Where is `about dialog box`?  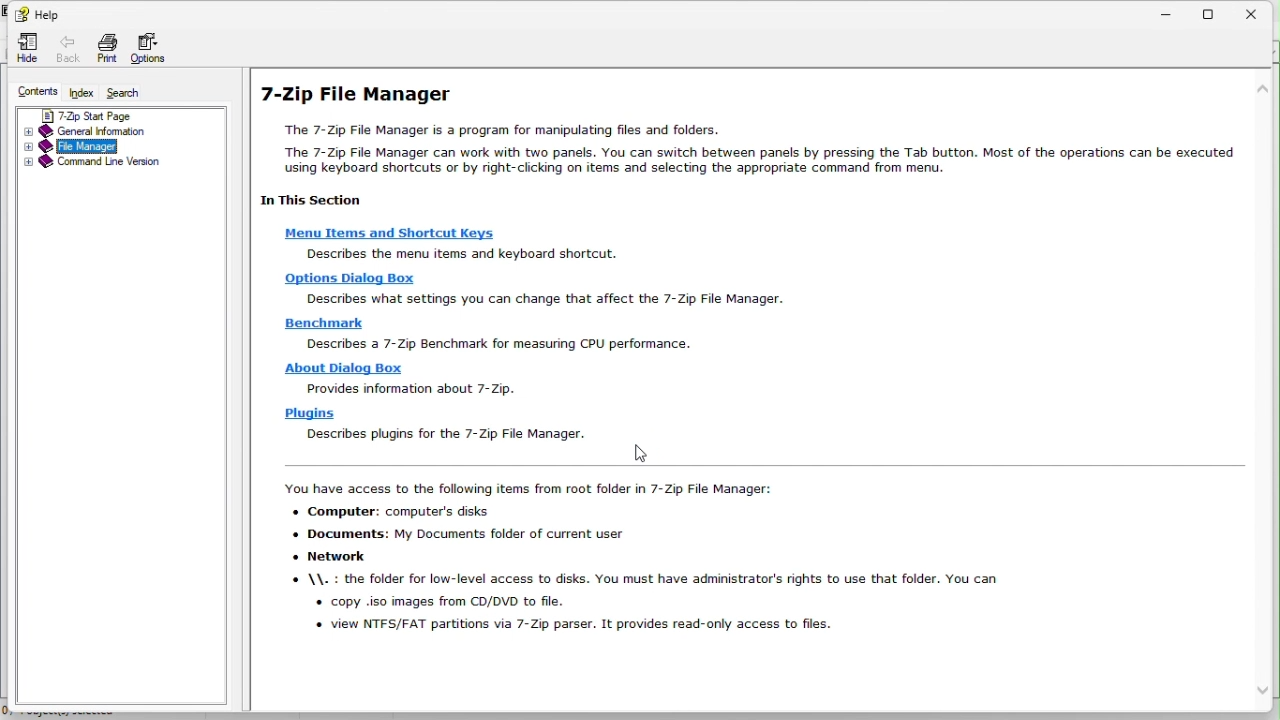 about dialog box is located at coordinates (346, 371).